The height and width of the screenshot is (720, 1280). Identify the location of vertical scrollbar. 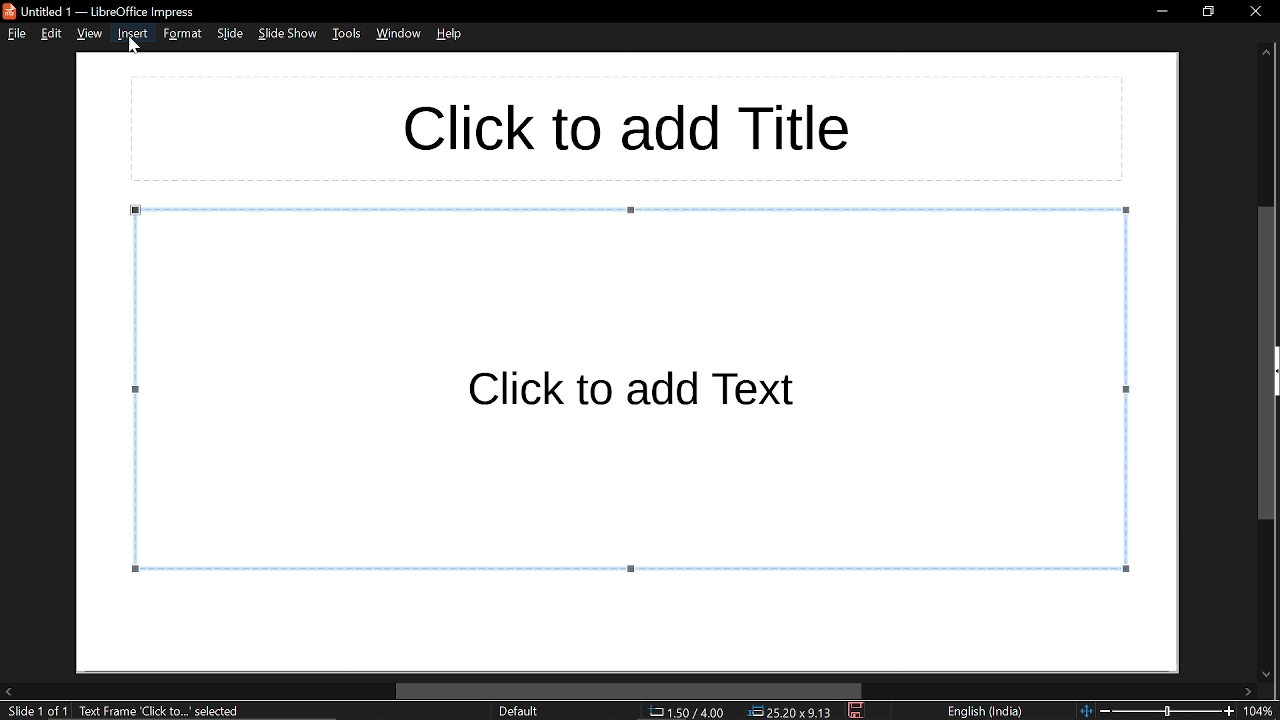
(1270, 361).